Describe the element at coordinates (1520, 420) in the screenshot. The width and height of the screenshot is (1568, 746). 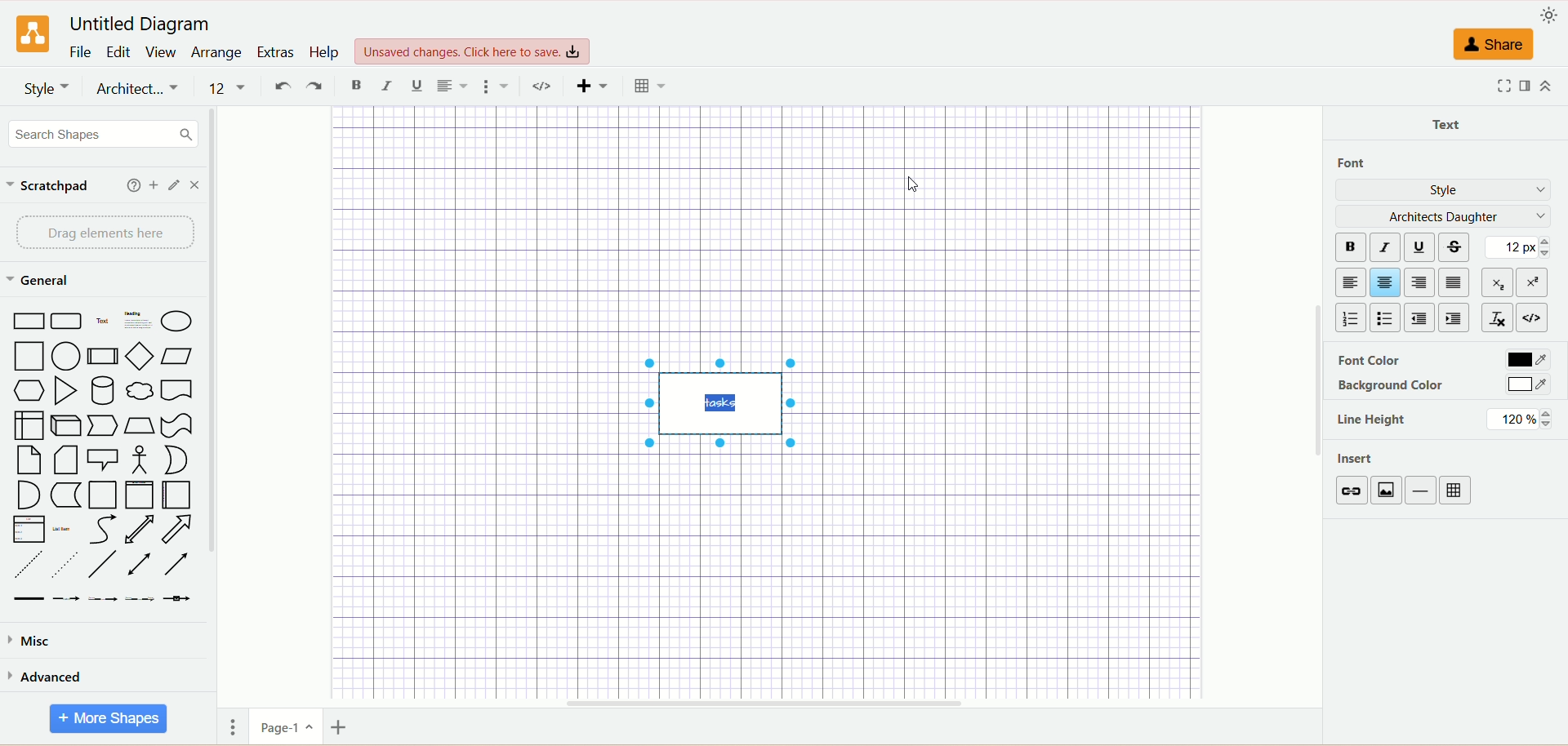
I see `120%` at that location.